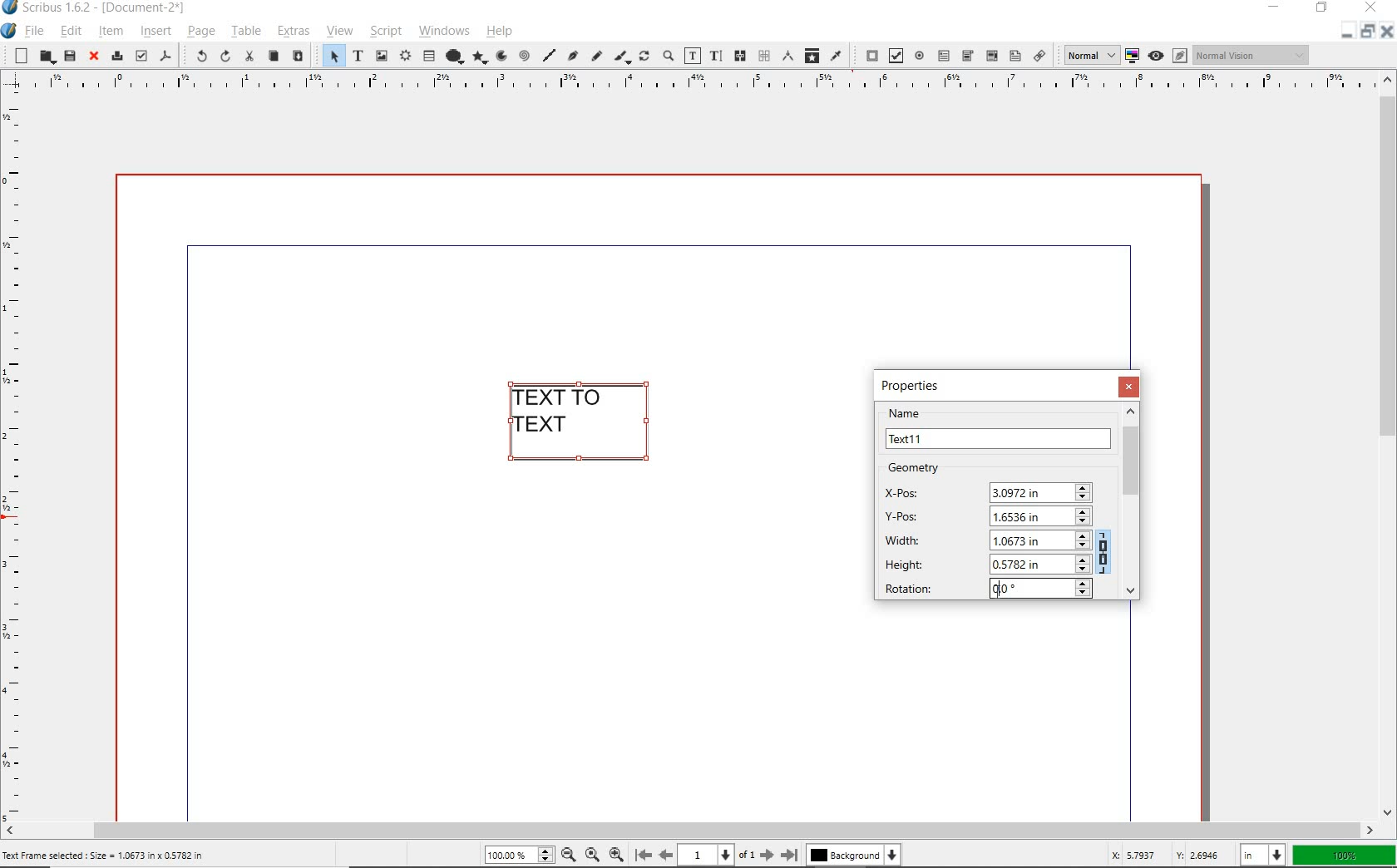 The width and height of the screenshot is (1397, 868). What do you see at coordinates (693, 55) in the screenshot?
I see `edit contents of frame` at bounding box center [693, 55].